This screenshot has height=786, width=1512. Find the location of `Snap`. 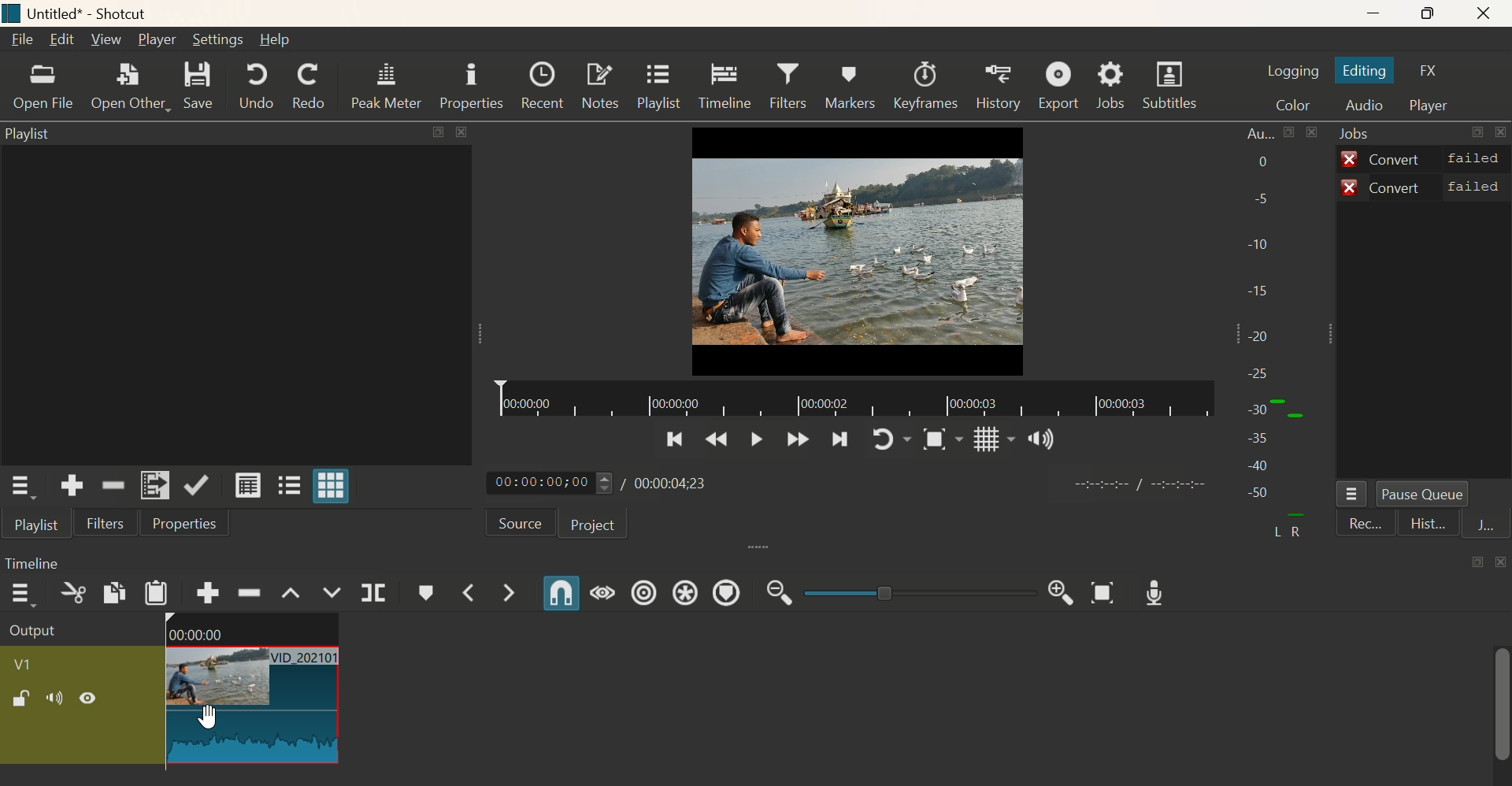

Snap is located at coordinates (939, 442).